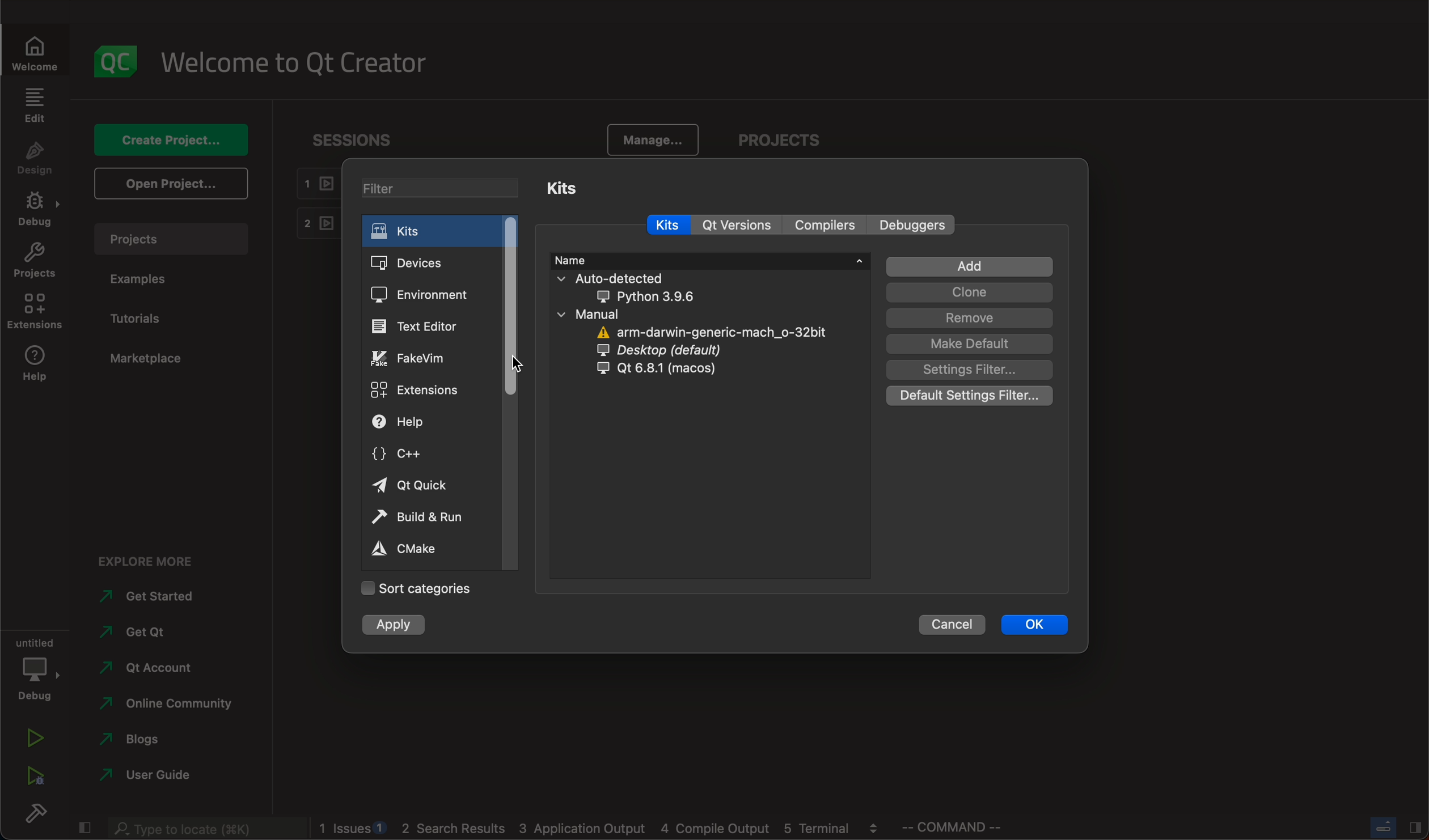  What do you see at coordinates (171, 239) in the screenshot?
I see `projects` at bounding box center [171, 239].